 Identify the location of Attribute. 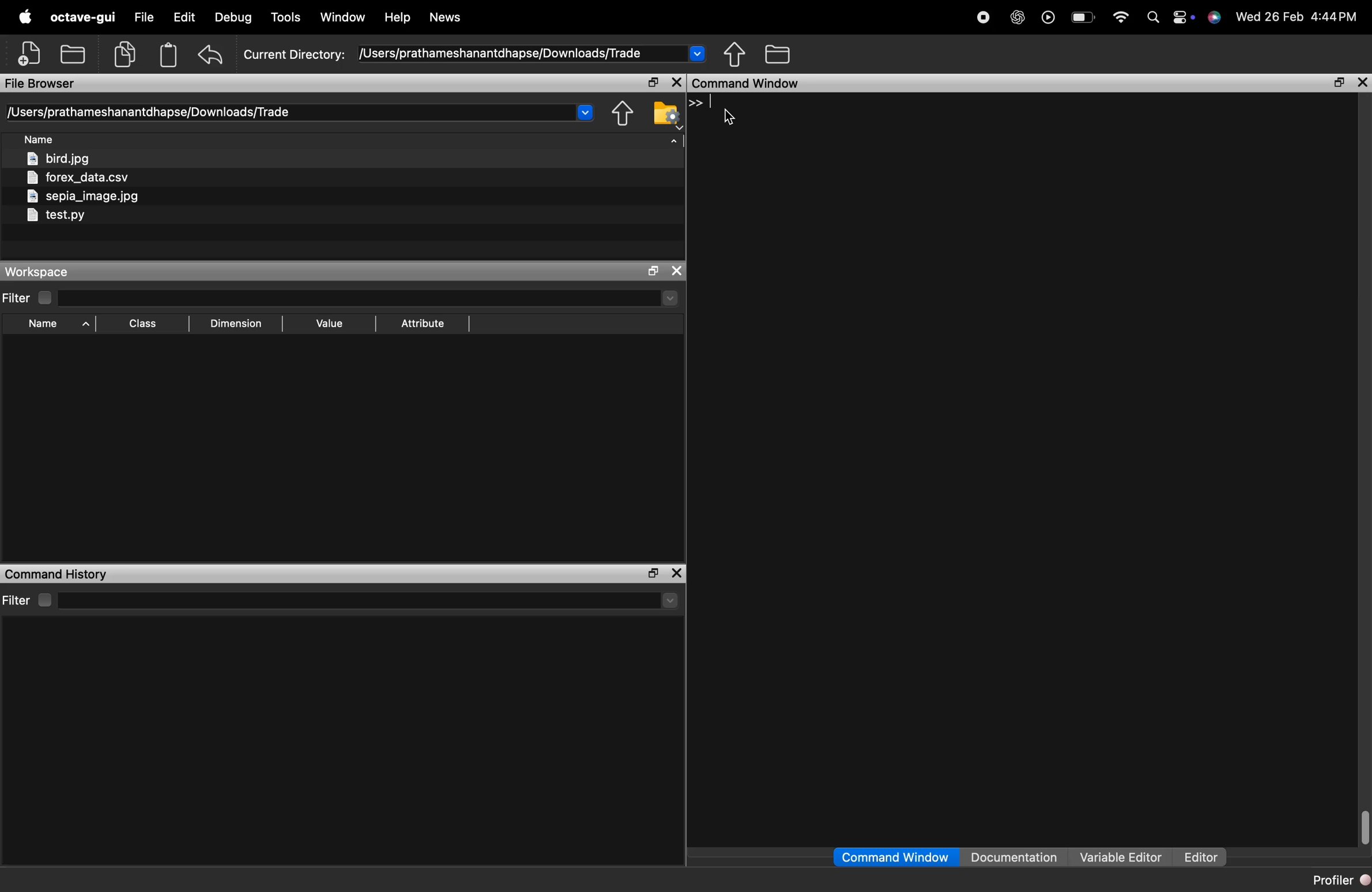
(424, 324).